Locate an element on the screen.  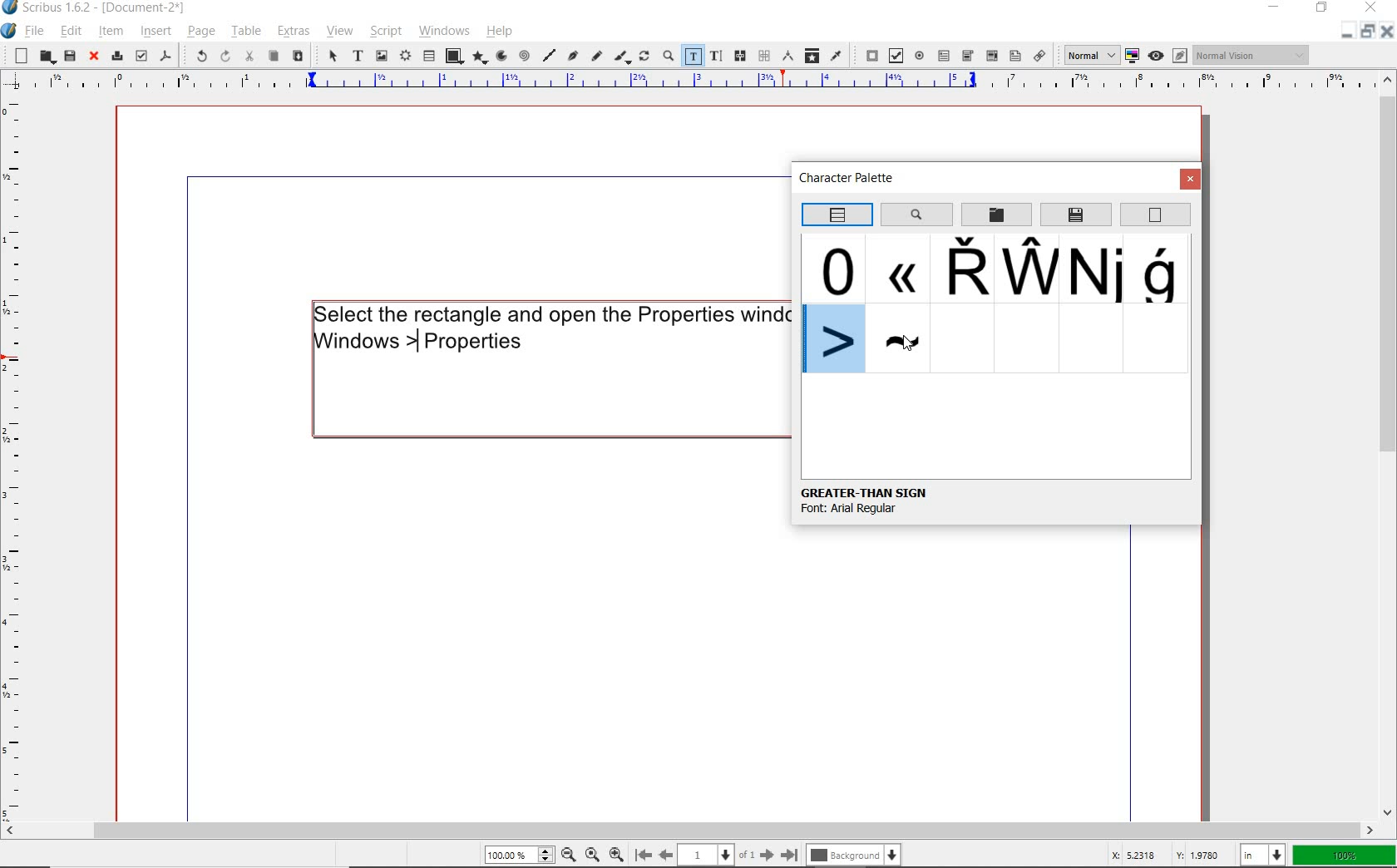
great-than sign is located at coordinates (865, 492).